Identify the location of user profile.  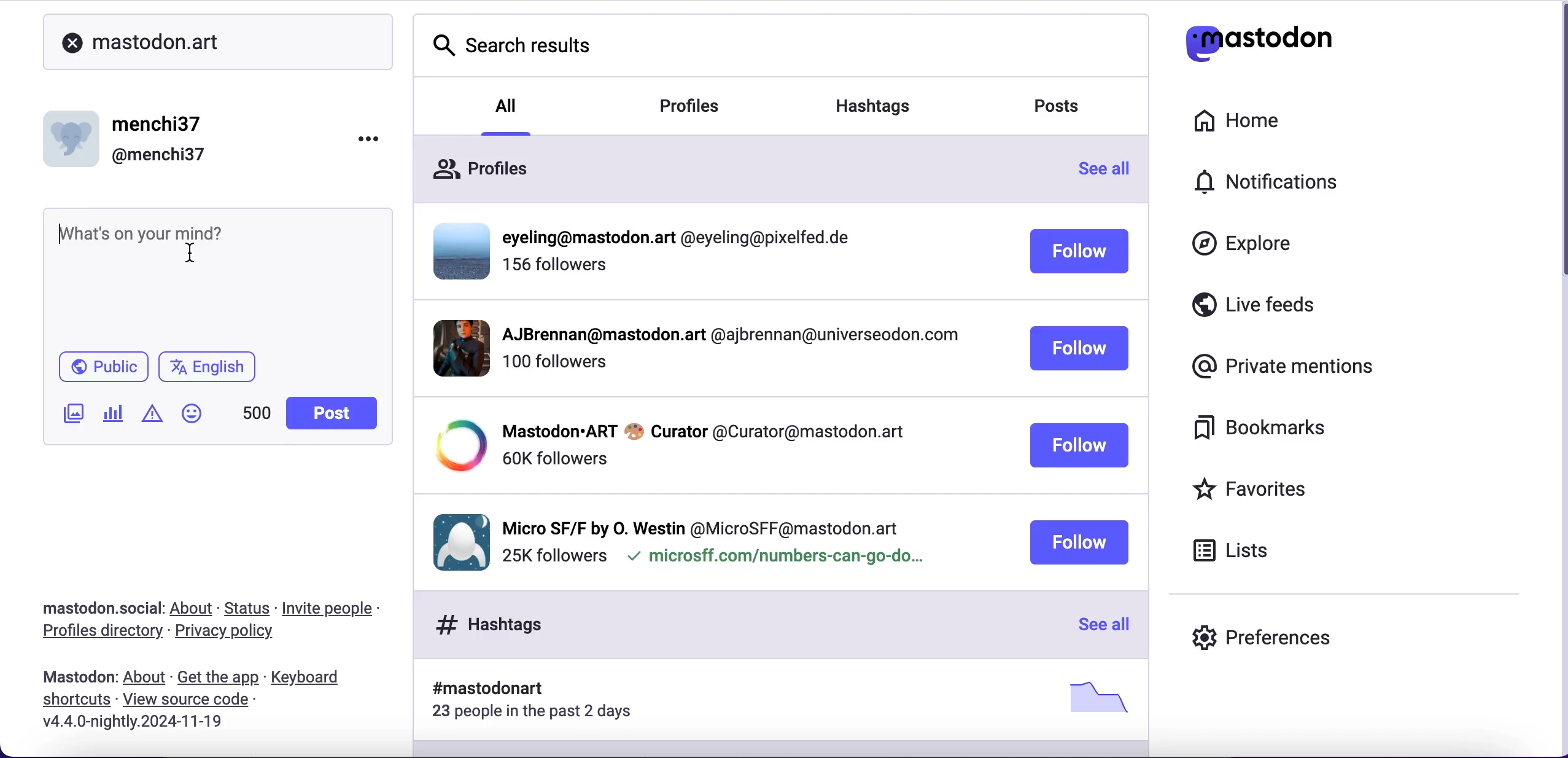
(725, 445).